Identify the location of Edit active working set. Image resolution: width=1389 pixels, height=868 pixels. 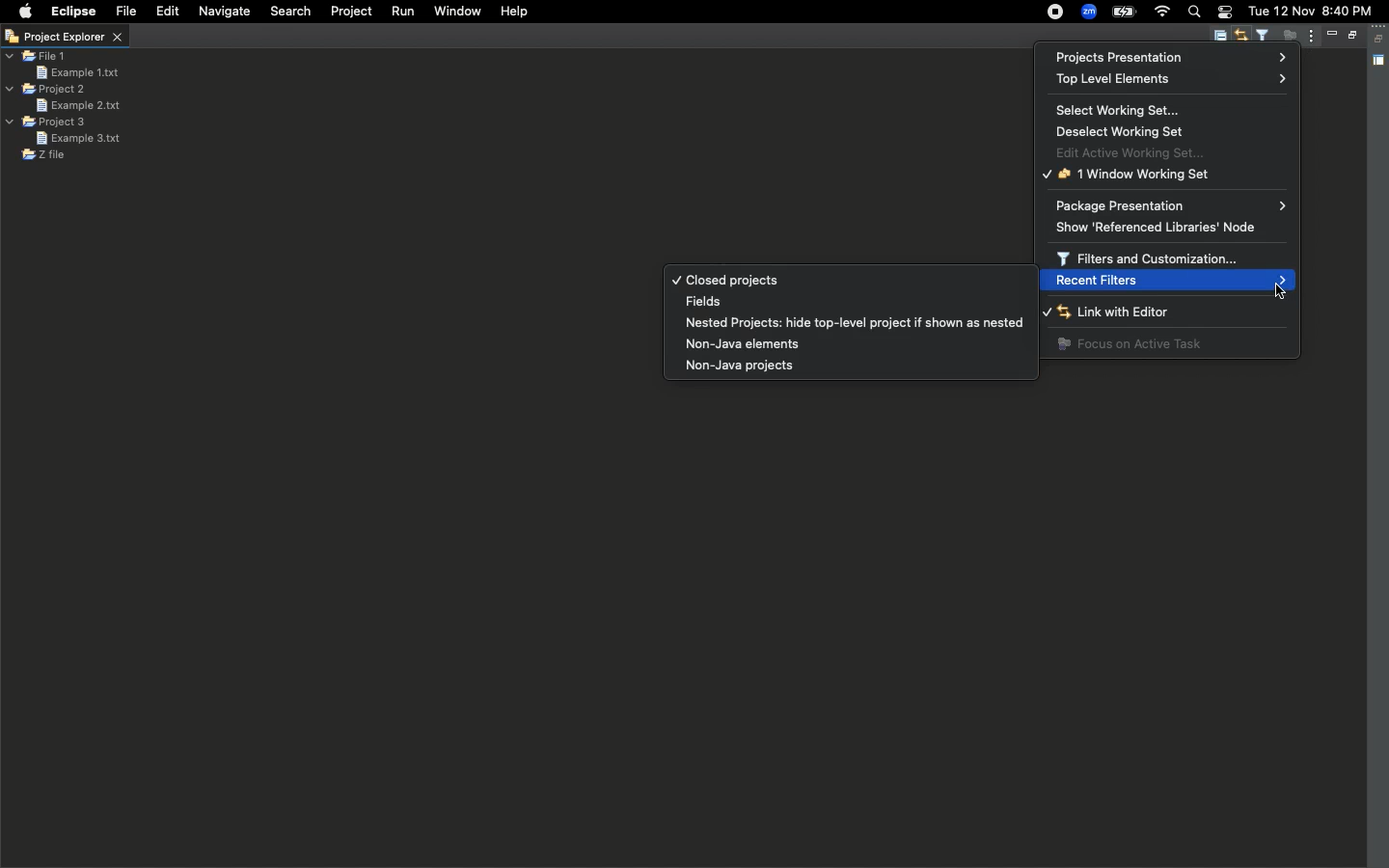
(1139, 151).